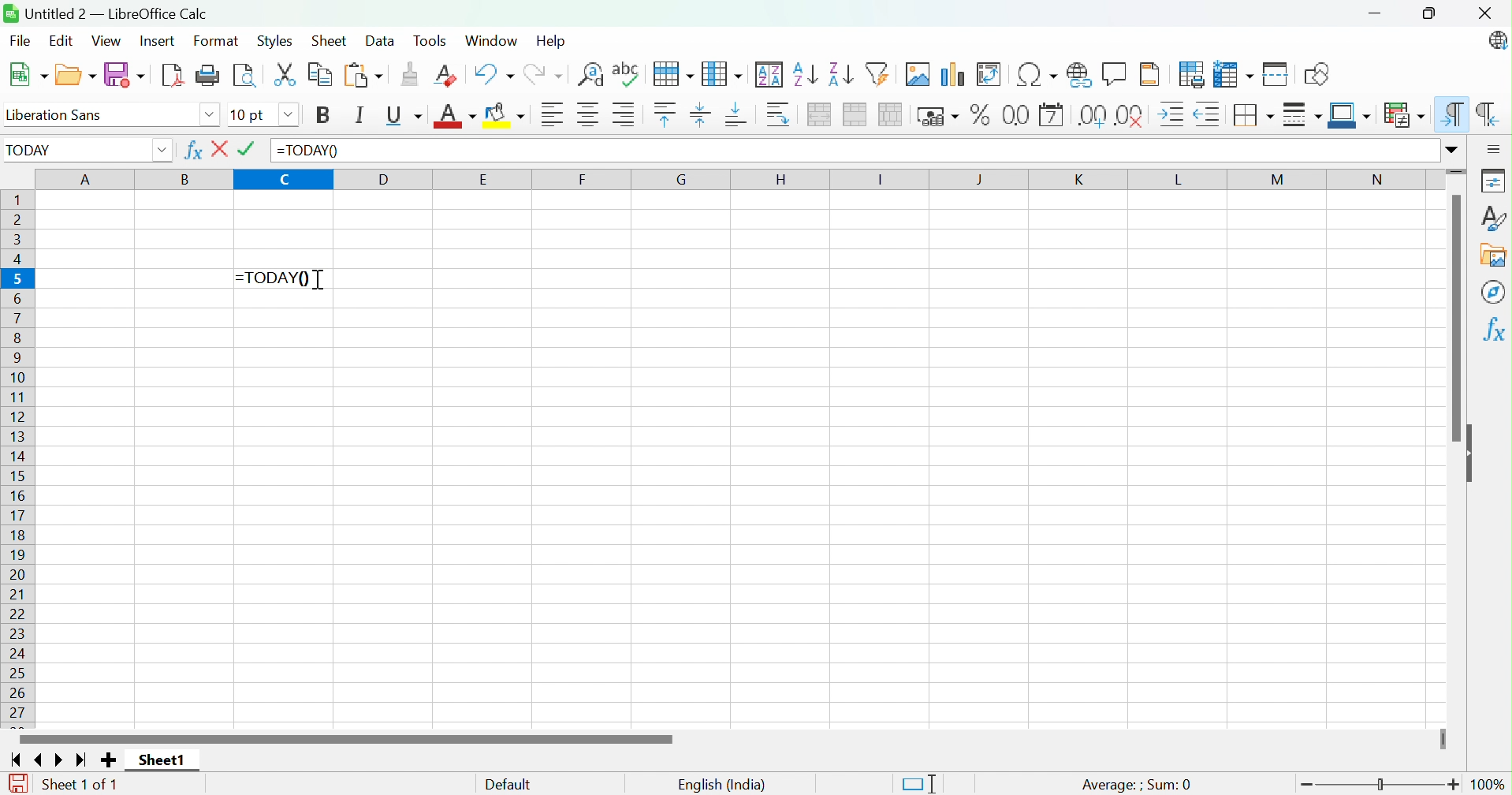  What do you see at coordinates (1208, 116) in the screenshot?
I see `Decrease indent` at bounding box center [1208, 116].